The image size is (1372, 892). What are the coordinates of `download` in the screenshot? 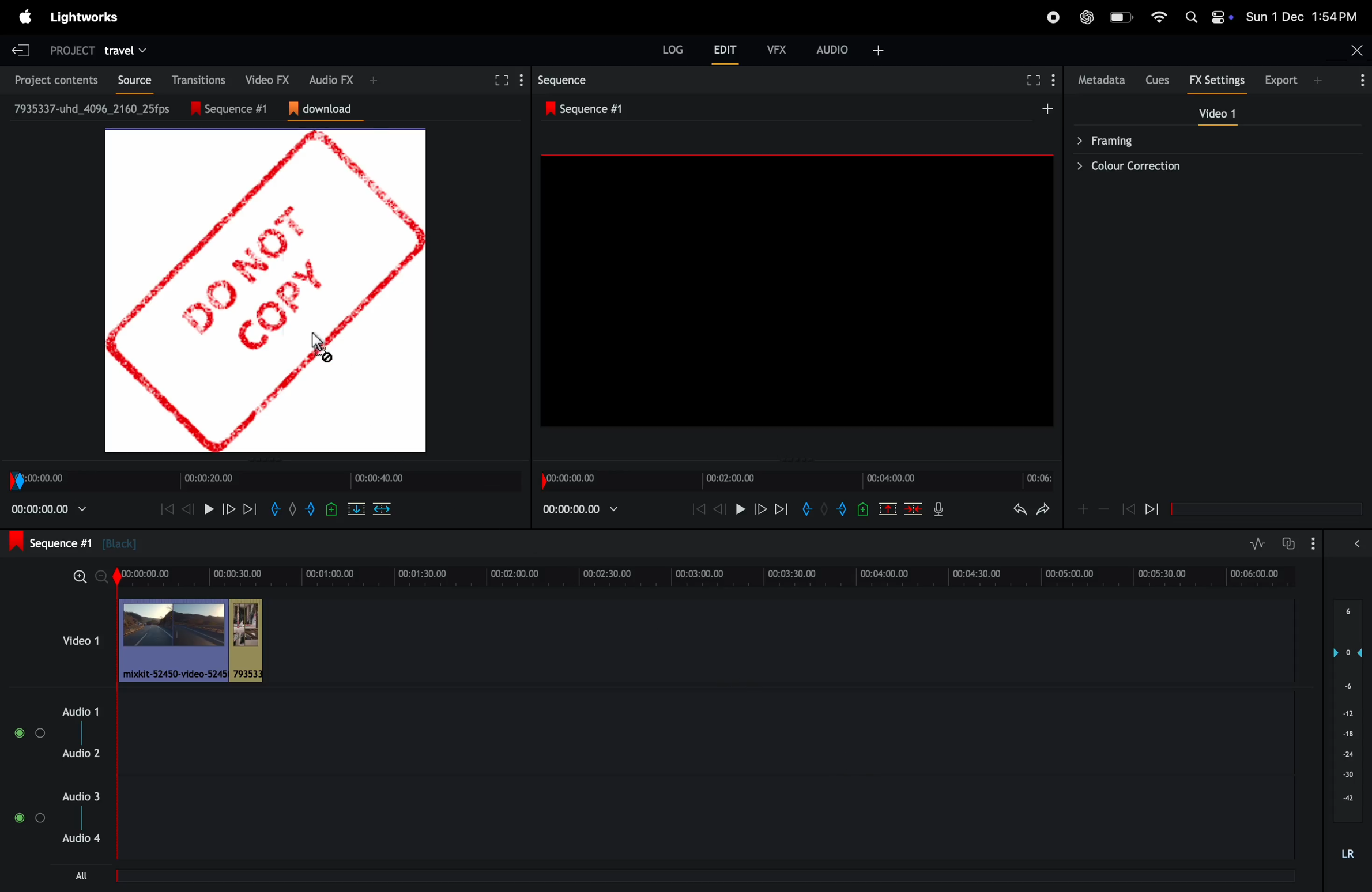 It's located at (326, 109).